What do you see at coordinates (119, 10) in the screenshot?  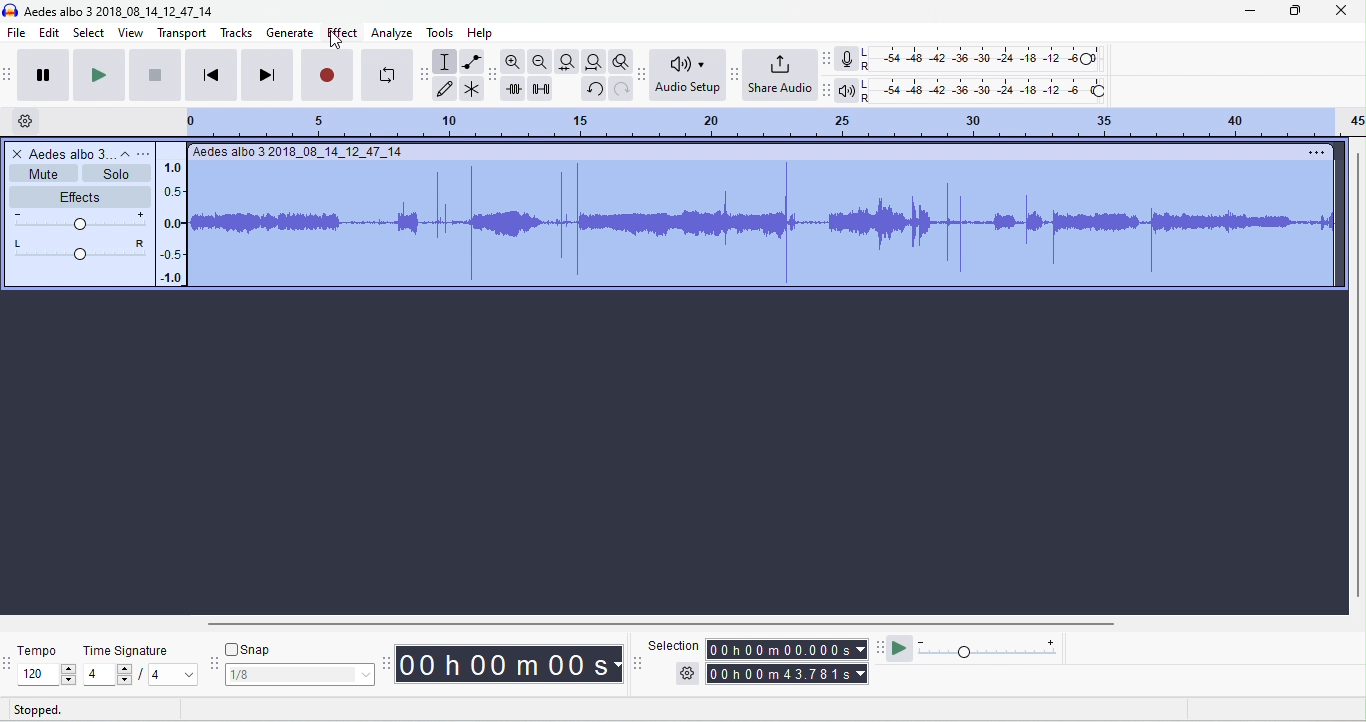 I see `title` at bounding box center [119, 10].